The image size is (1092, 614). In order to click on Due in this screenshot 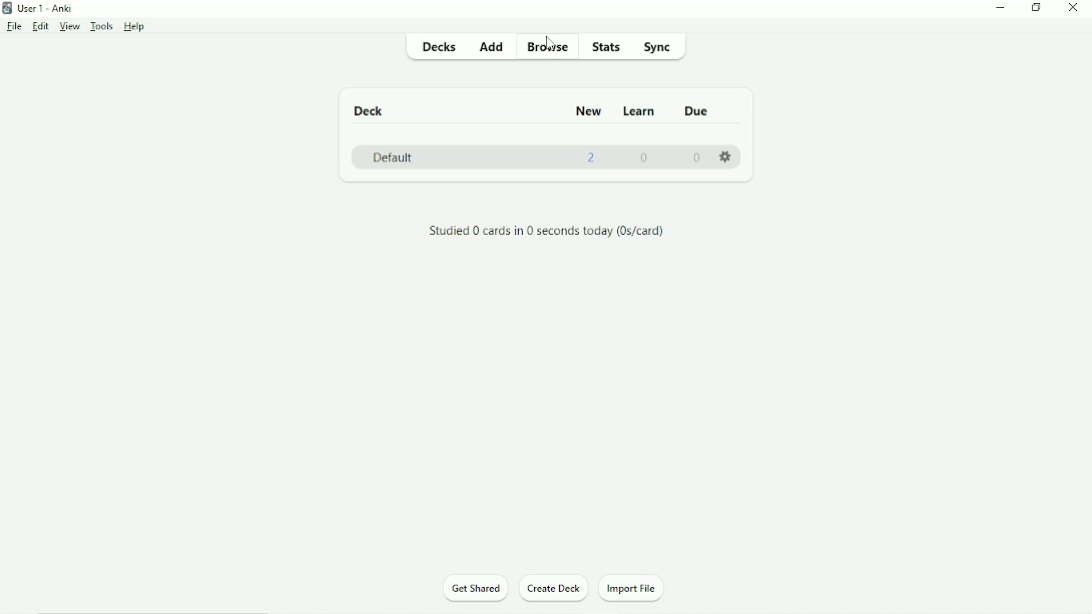, I will do `click(701, 111)`.